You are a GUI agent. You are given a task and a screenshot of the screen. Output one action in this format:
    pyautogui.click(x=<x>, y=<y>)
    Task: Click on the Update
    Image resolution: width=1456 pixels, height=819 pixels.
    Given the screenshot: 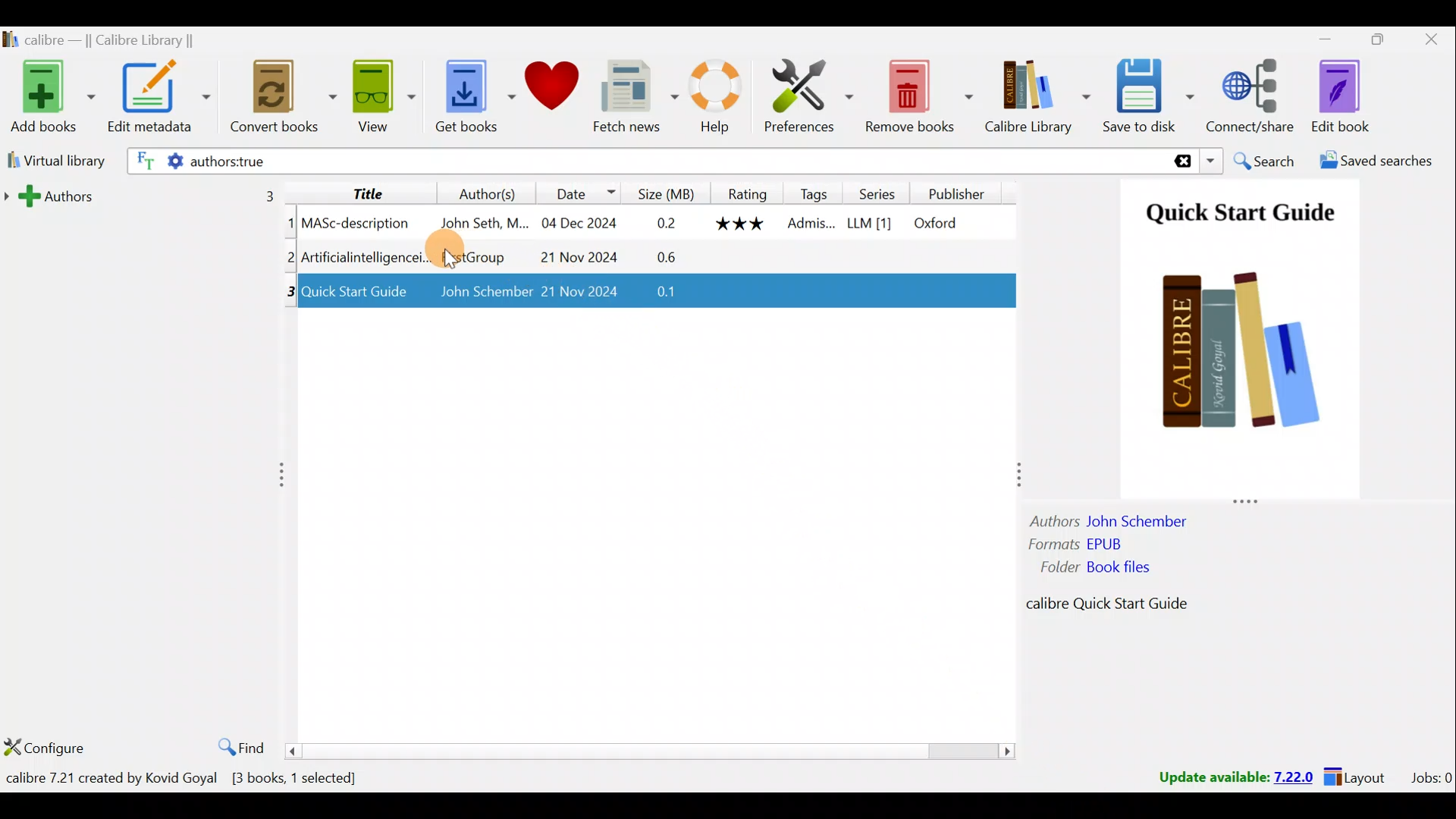 What is the action you would take?
    pyautogui.click(x=1234, y=778)
    